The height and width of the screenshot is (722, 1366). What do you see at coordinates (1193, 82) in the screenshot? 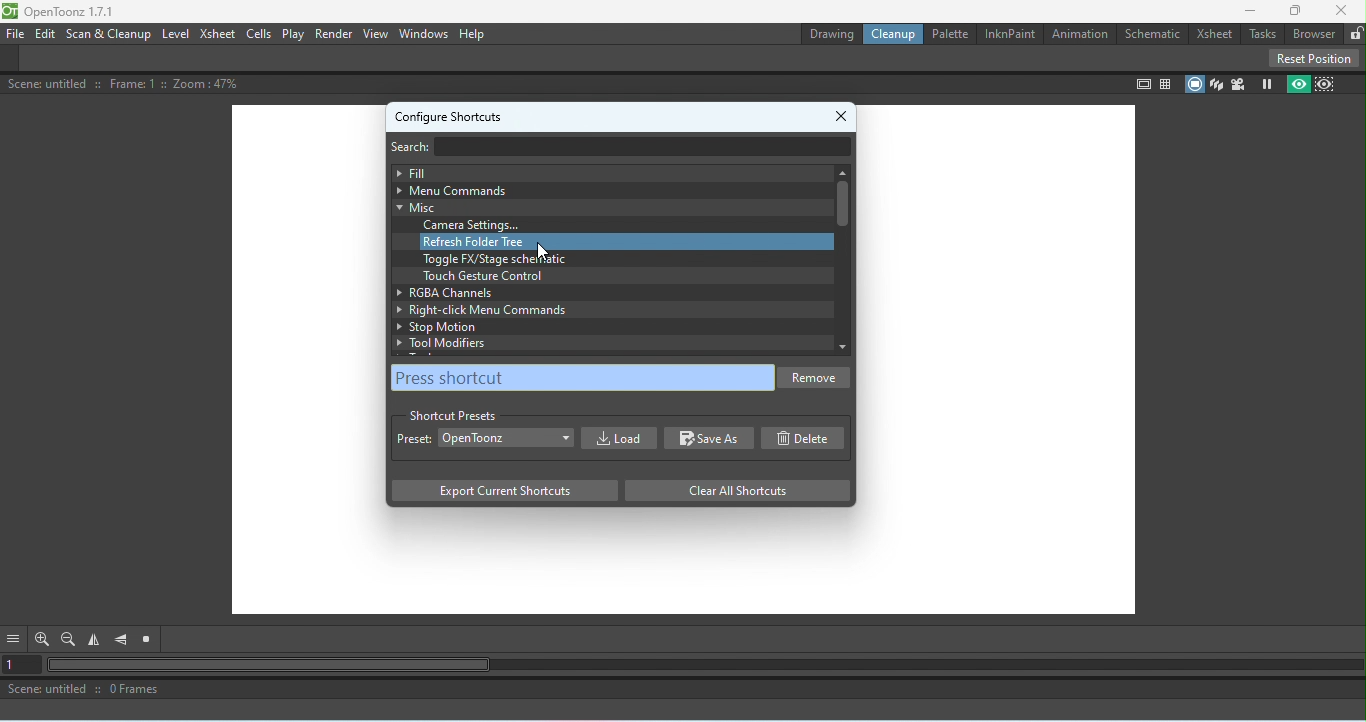
I see `Camera stand view` at bounding box center [1193, 82].